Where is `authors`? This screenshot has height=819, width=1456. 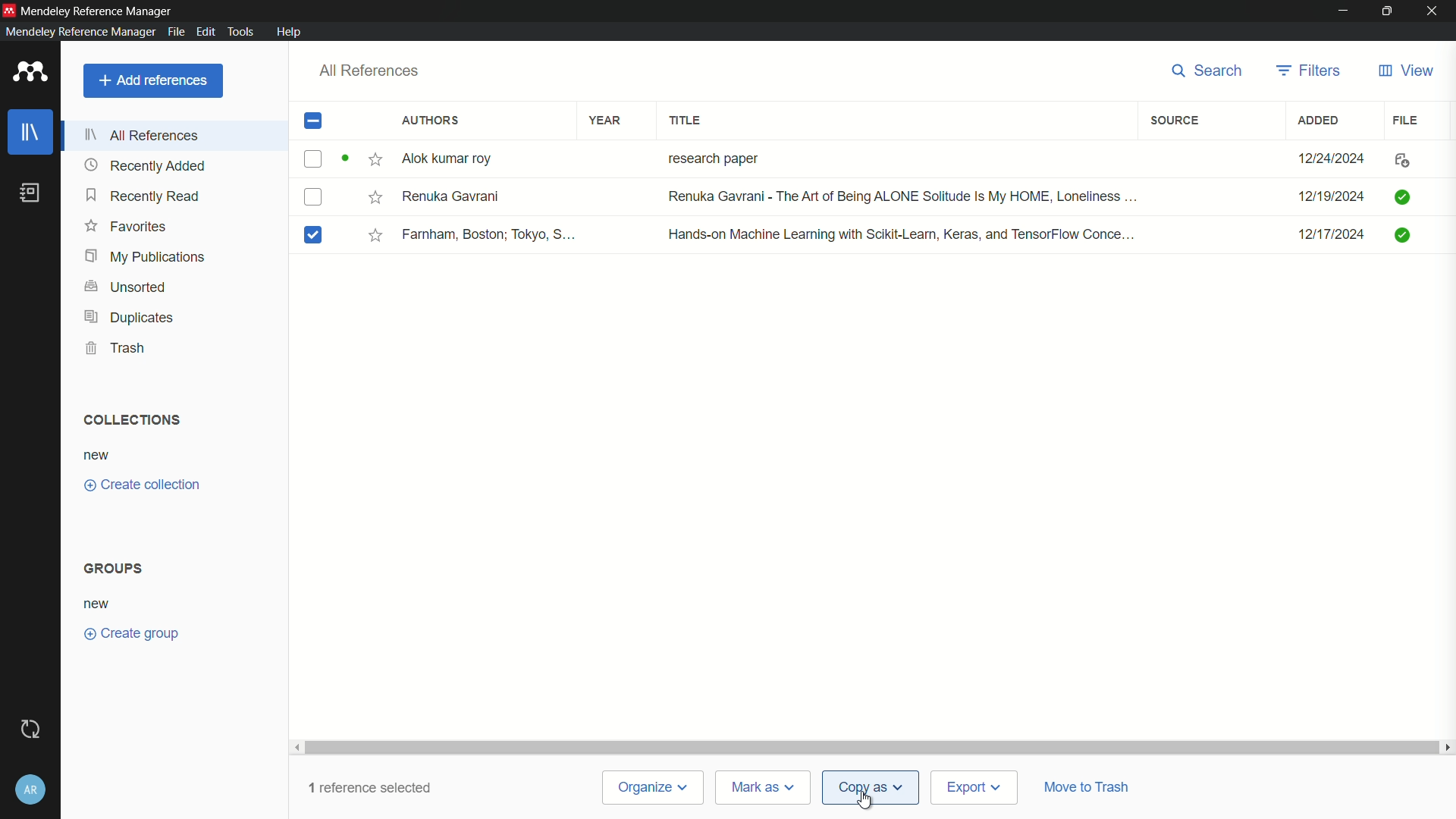
authors is located at coordinates (428, 121).